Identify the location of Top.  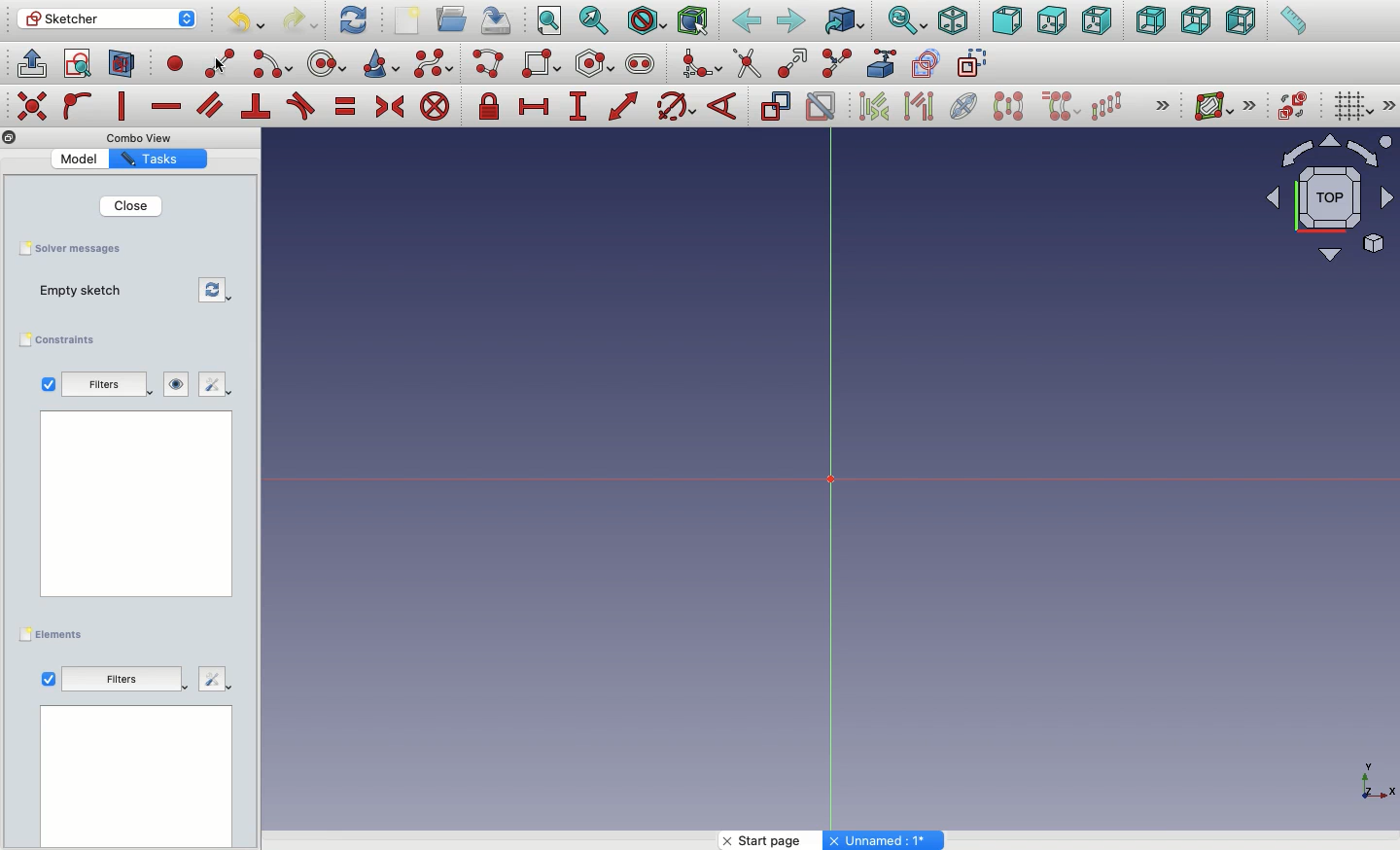
(1050, 22).